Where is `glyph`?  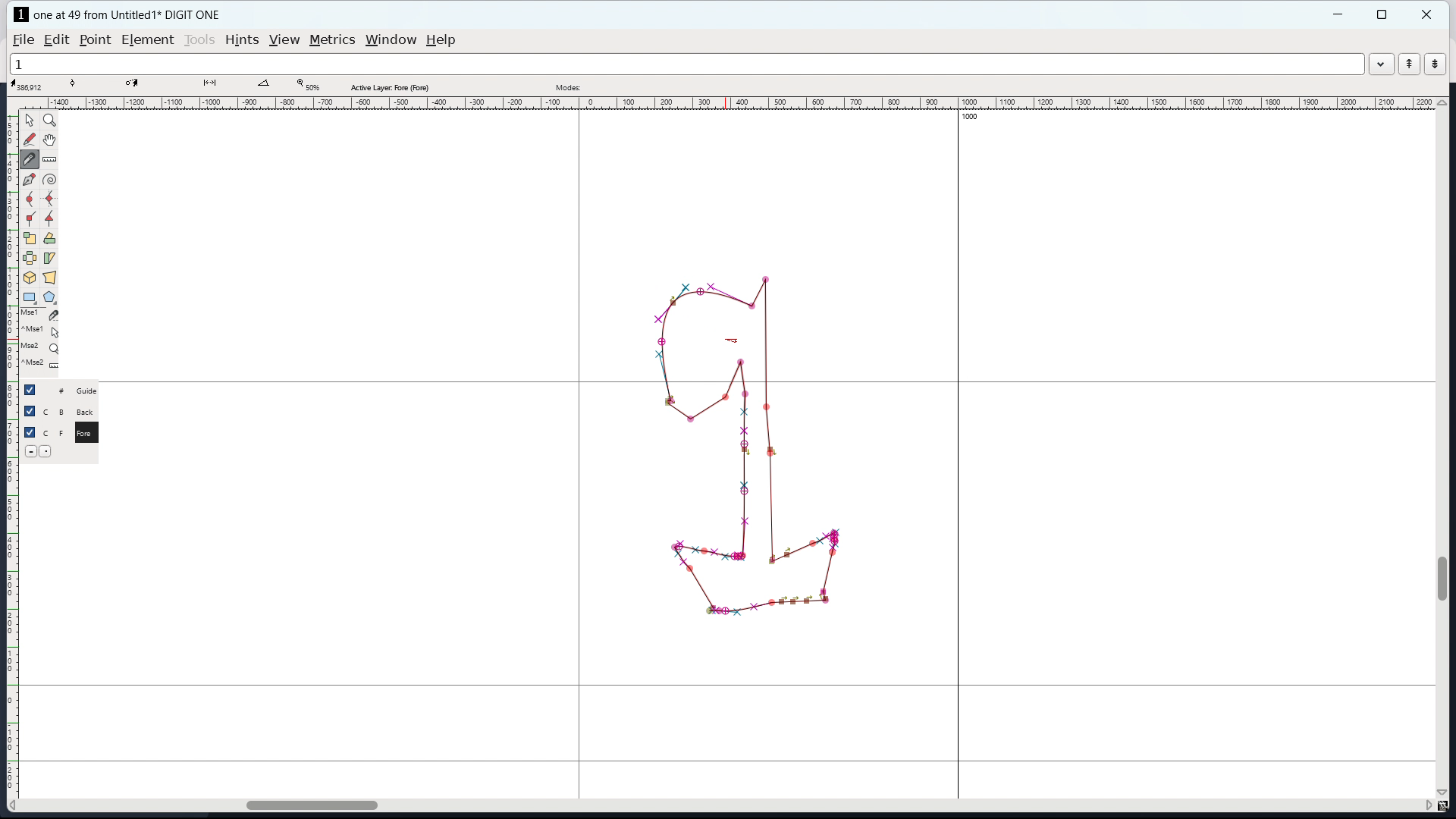
glyph is located at coordinates (749, 485).